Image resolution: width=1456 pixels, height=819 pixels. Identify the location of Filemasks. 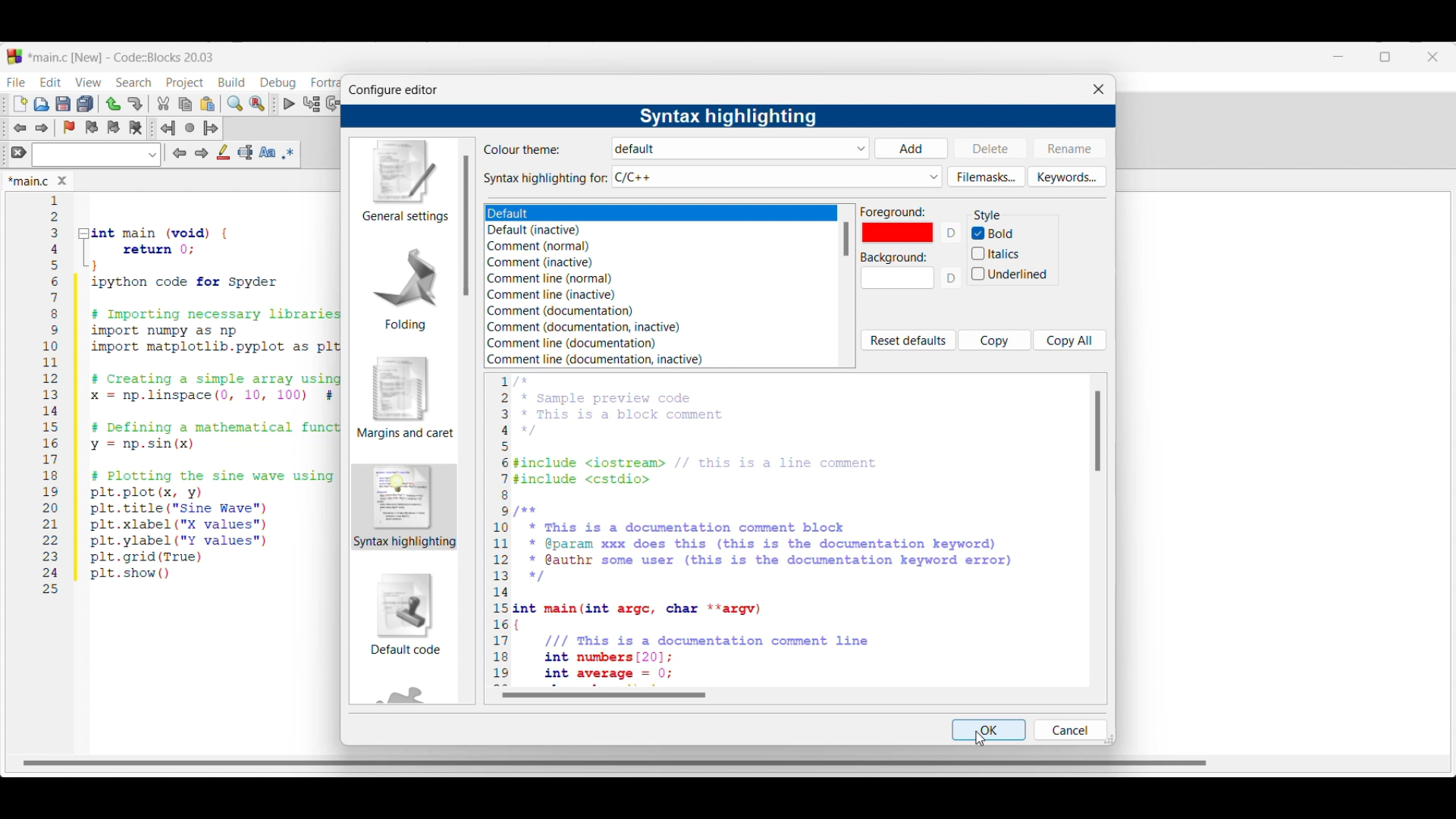
(987, 177).